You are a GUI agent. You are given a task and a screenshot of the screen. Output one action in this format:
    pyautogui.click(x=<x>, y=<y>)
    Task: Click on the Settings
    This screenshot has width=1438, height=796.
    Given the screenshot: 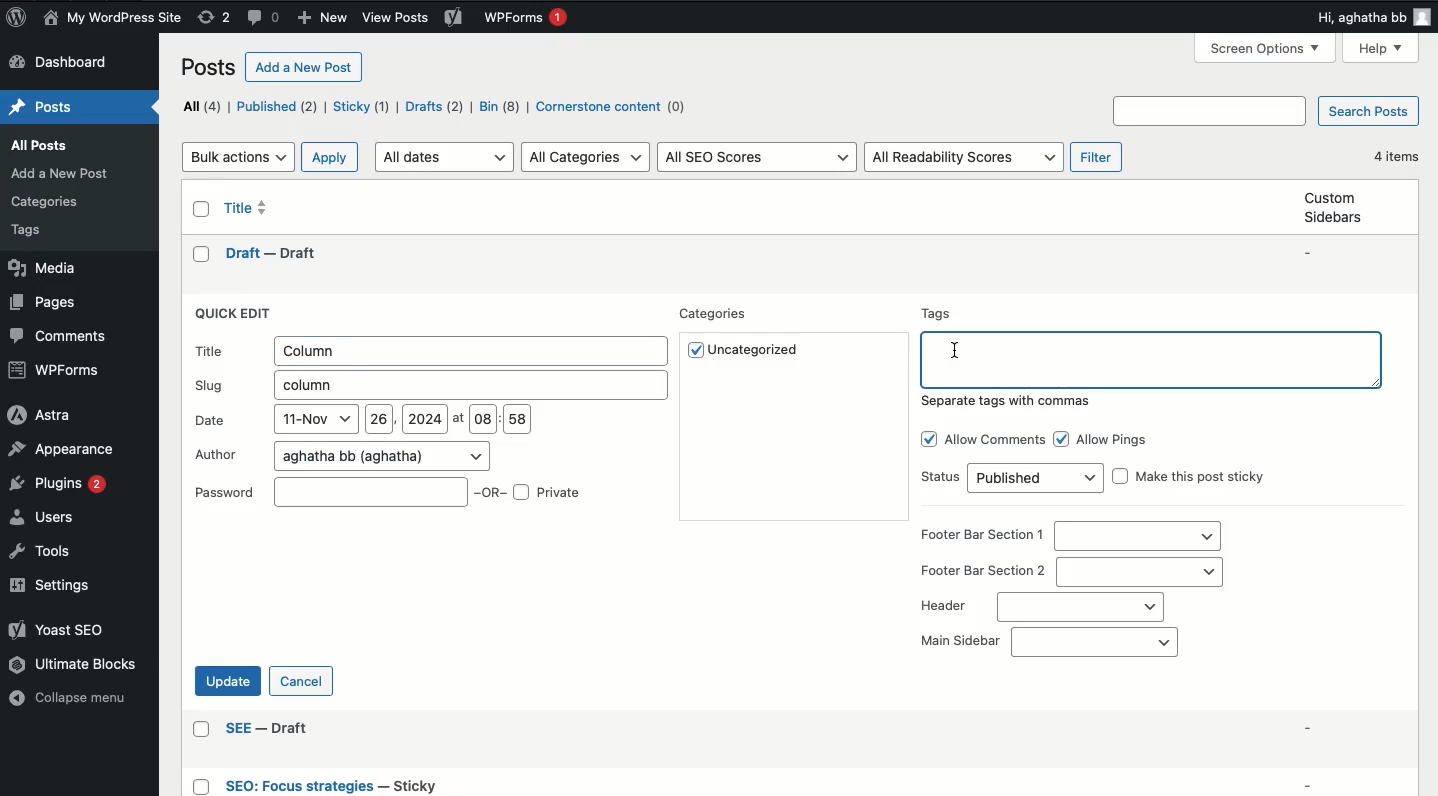 What is the action you would take?
    pyautogui.click(x=57, y=586)
    